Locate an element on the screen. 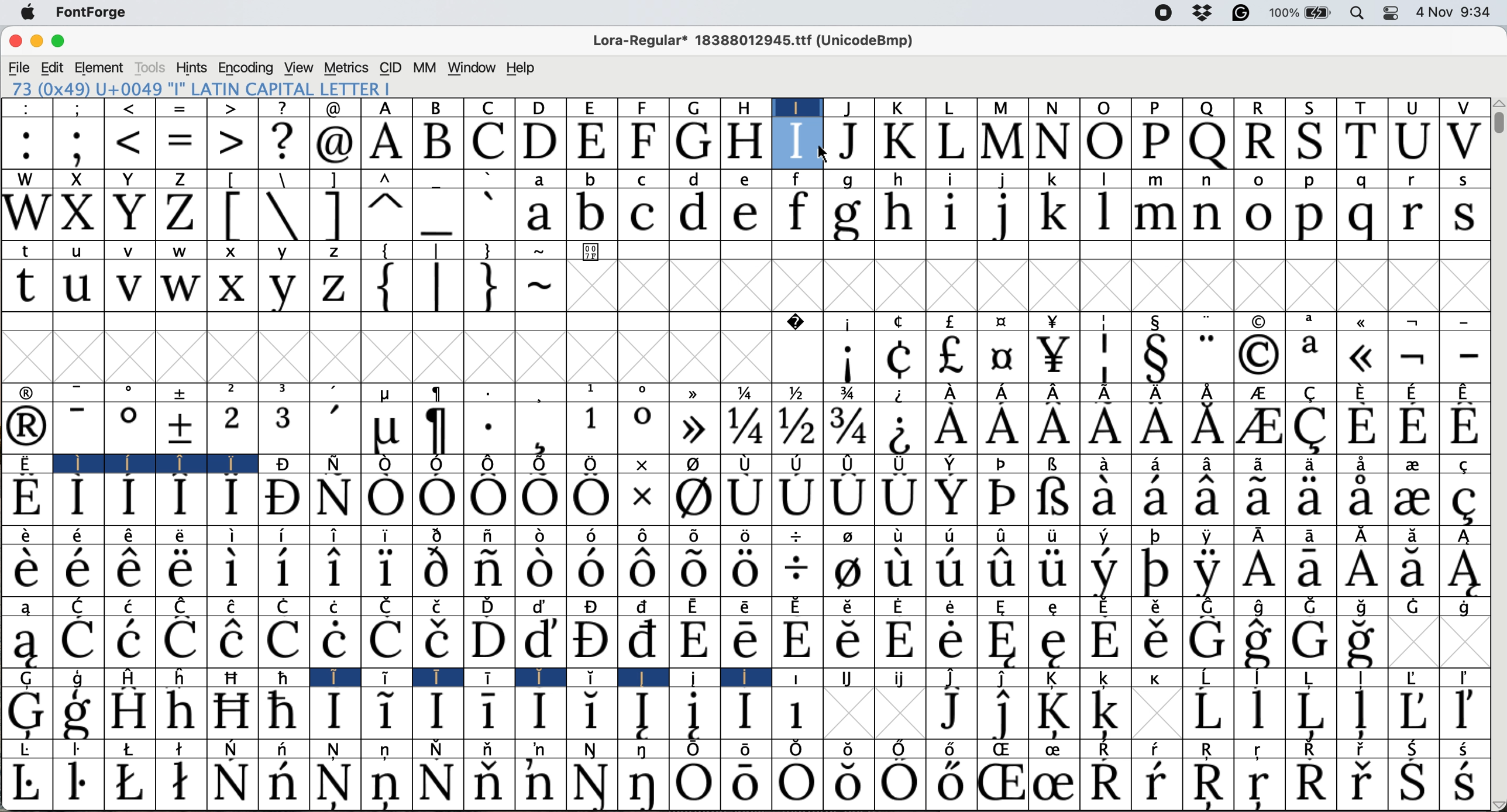  x is located at coordinates (642, 466).